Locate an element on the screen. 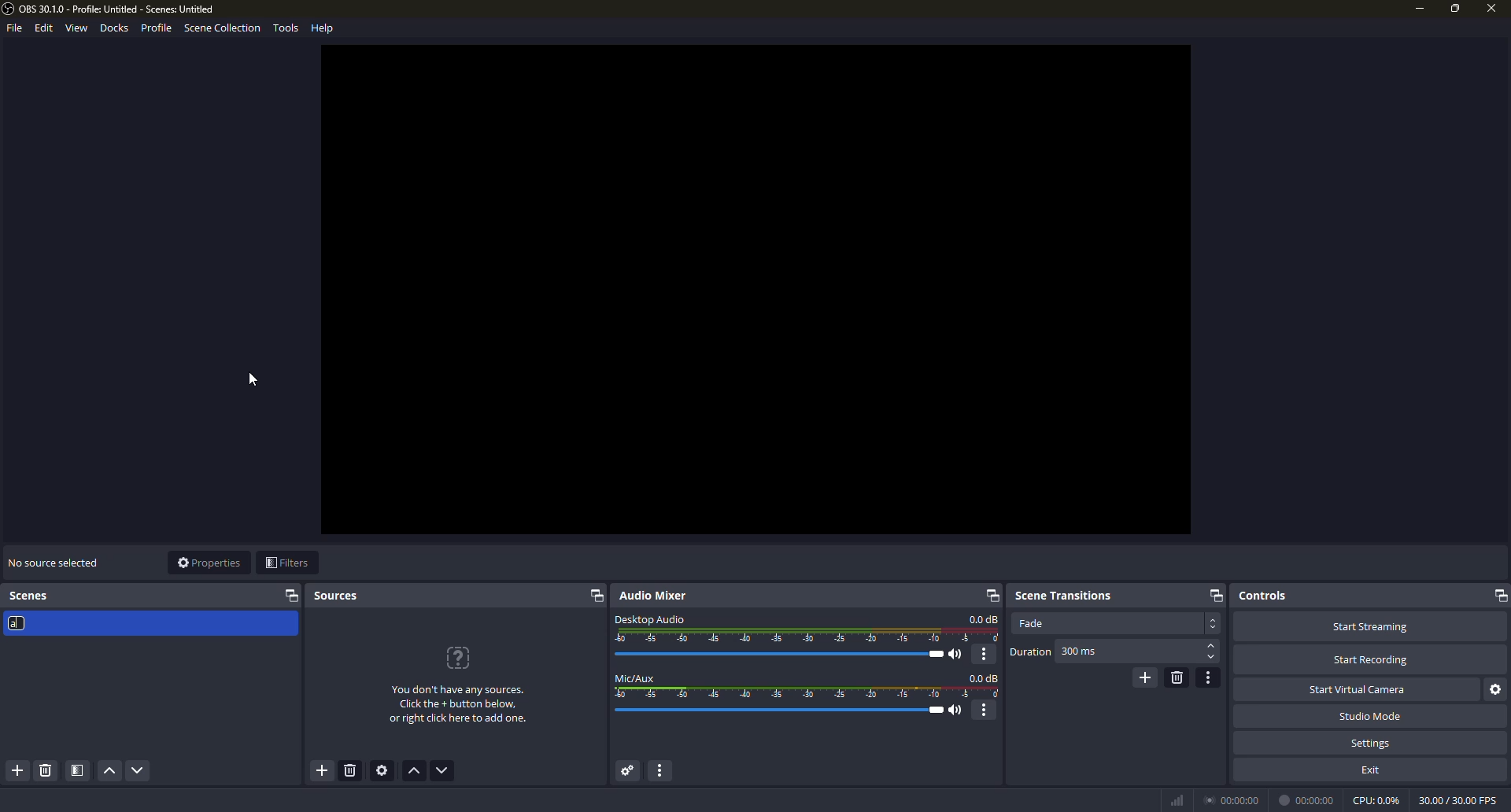 Image resolution: width=1511 pixels, height=812 pixels. options is located at coordinates (985, 654).